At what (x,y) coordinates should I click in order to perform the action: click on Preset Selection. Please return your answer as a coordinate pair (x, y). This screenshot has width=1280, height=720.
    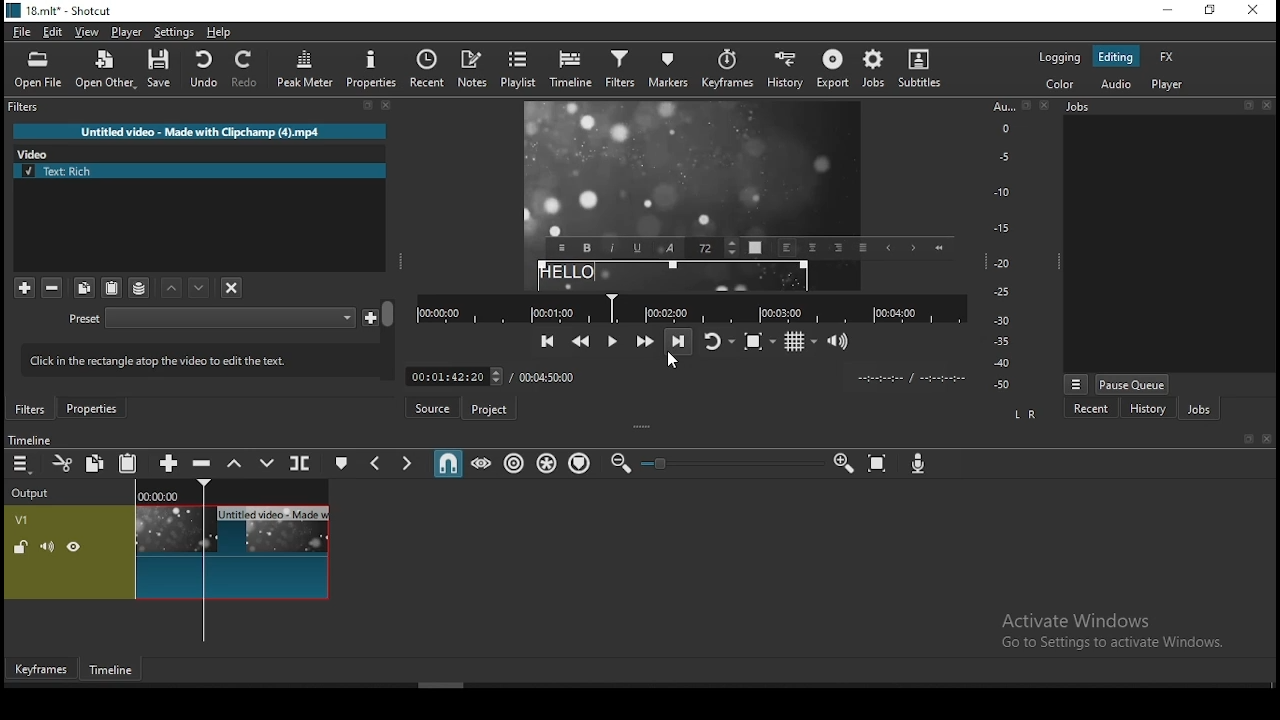
    Looking at the image, I should click on (230, 318).